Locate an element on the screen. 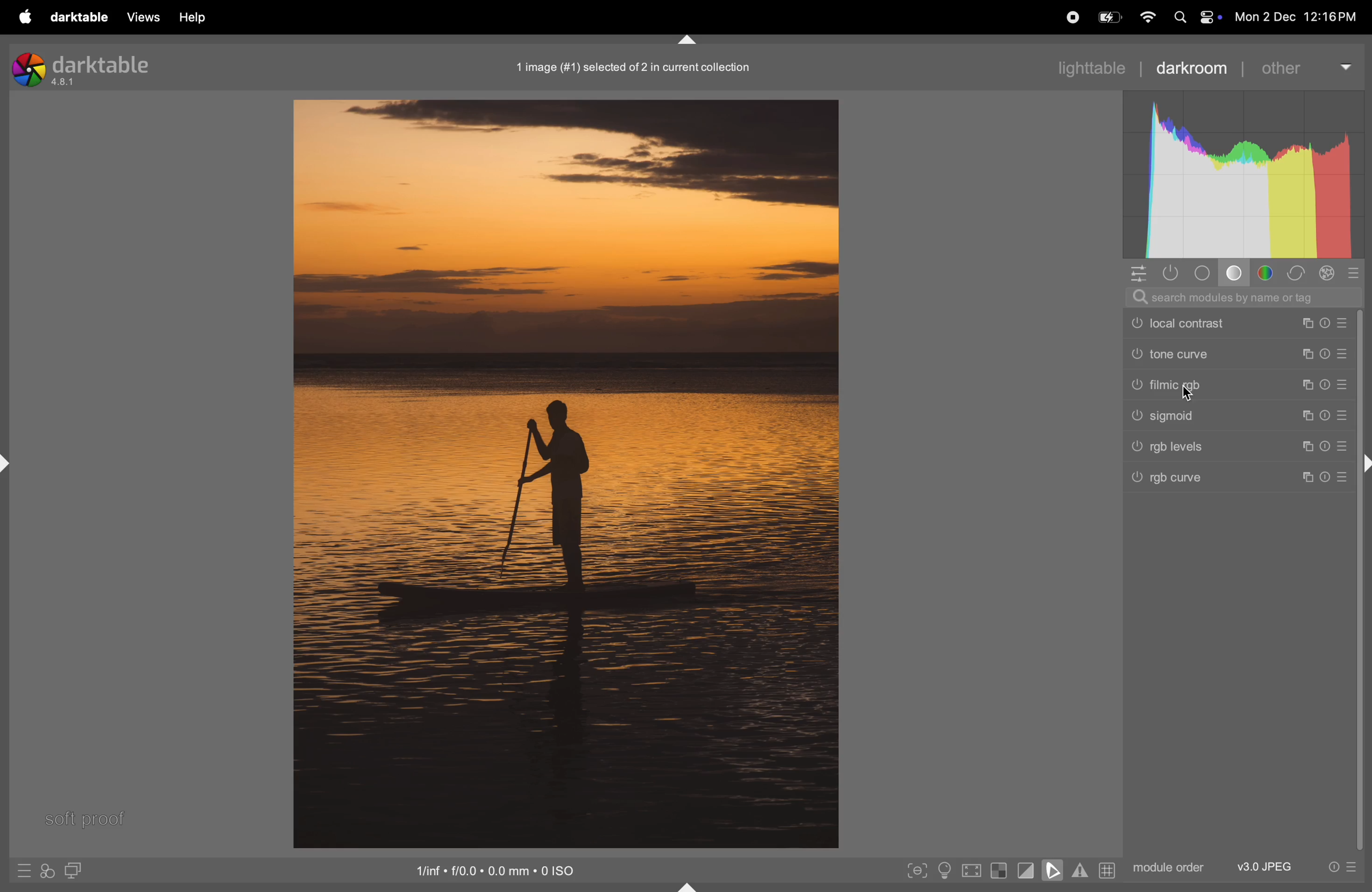 Image resolution: width=1372 pixels, height=892 pixels. searchbar is located at coordinates (1243, 297).